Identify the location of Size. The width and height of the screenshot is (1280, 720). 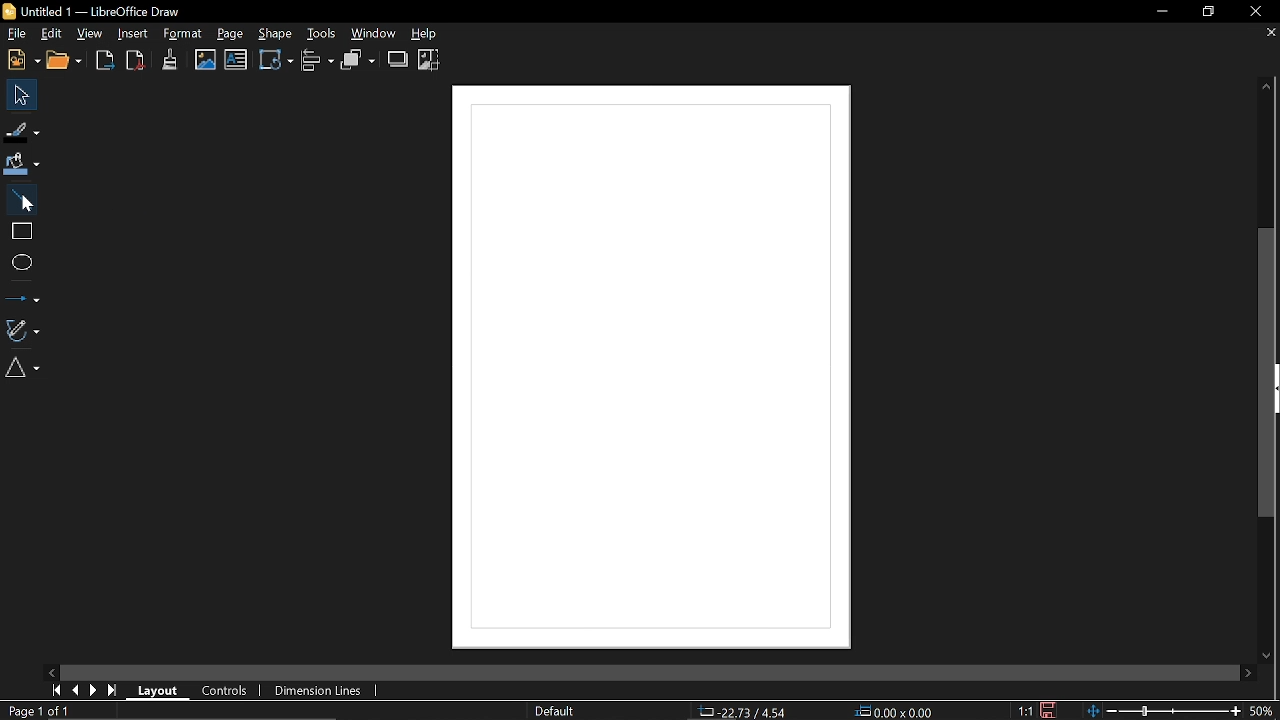
(903, 710).